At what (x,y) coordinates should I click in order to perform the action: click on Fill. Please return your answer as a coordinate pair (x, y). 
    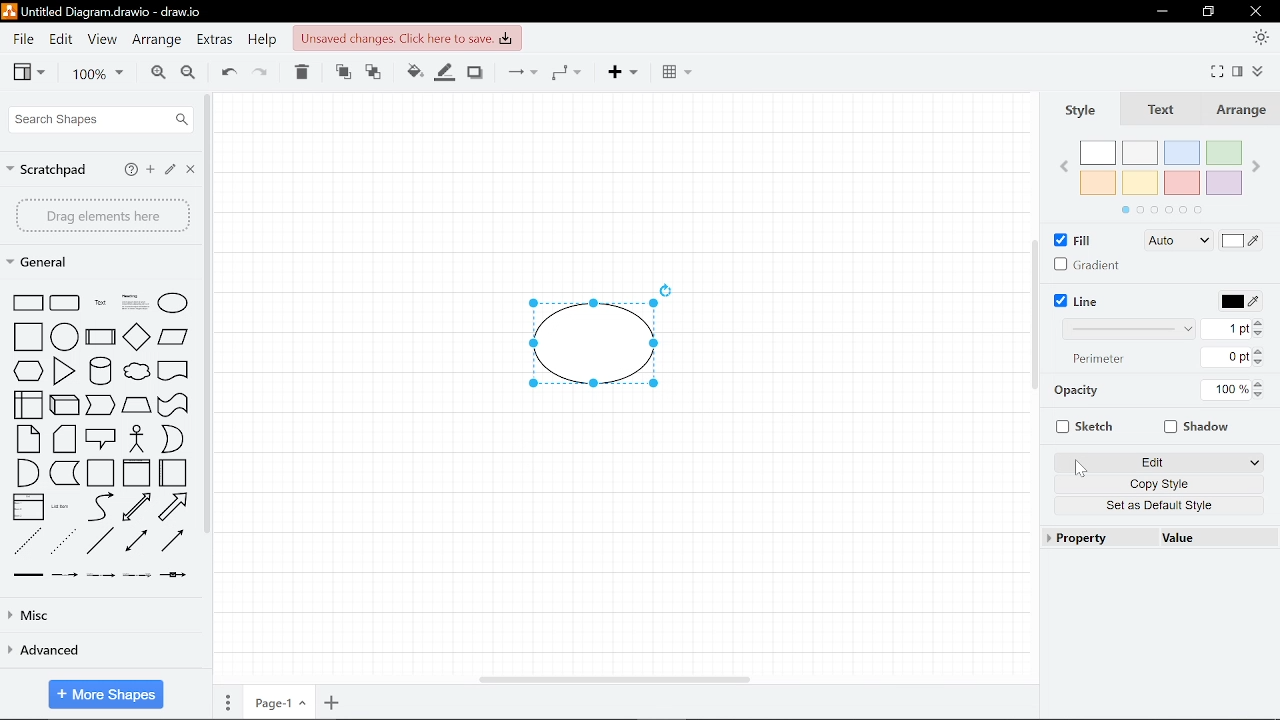
    Looking at the image, I should click on (1073, 240).